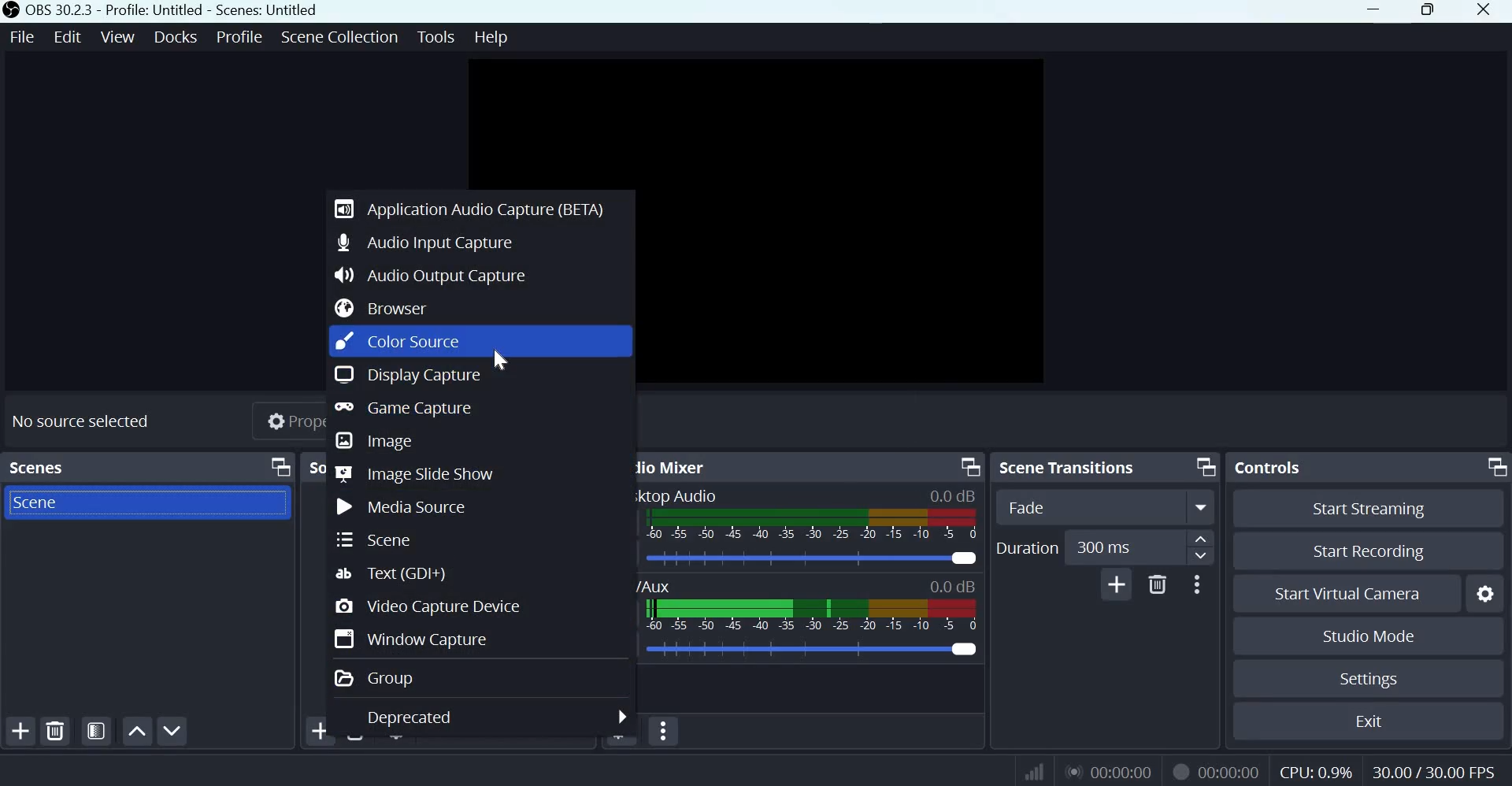 This screenshot has width=1512, height=786. Describe the element at coordinates (1376, 721) in the screenshot. I see `Exit` at that location.